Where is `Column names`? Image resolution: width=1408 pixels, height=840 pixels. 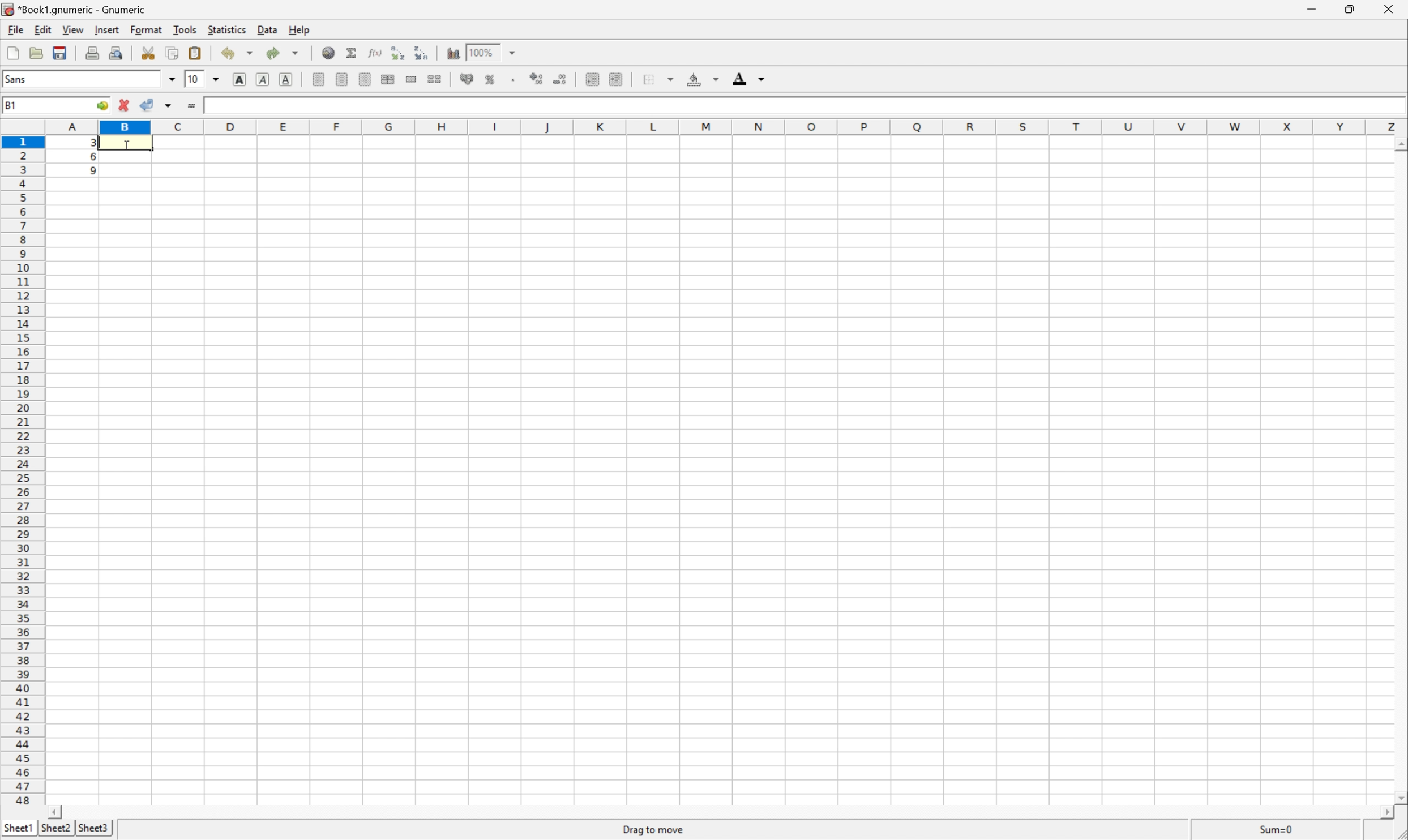
Column names is located at coordinates (722, 127).